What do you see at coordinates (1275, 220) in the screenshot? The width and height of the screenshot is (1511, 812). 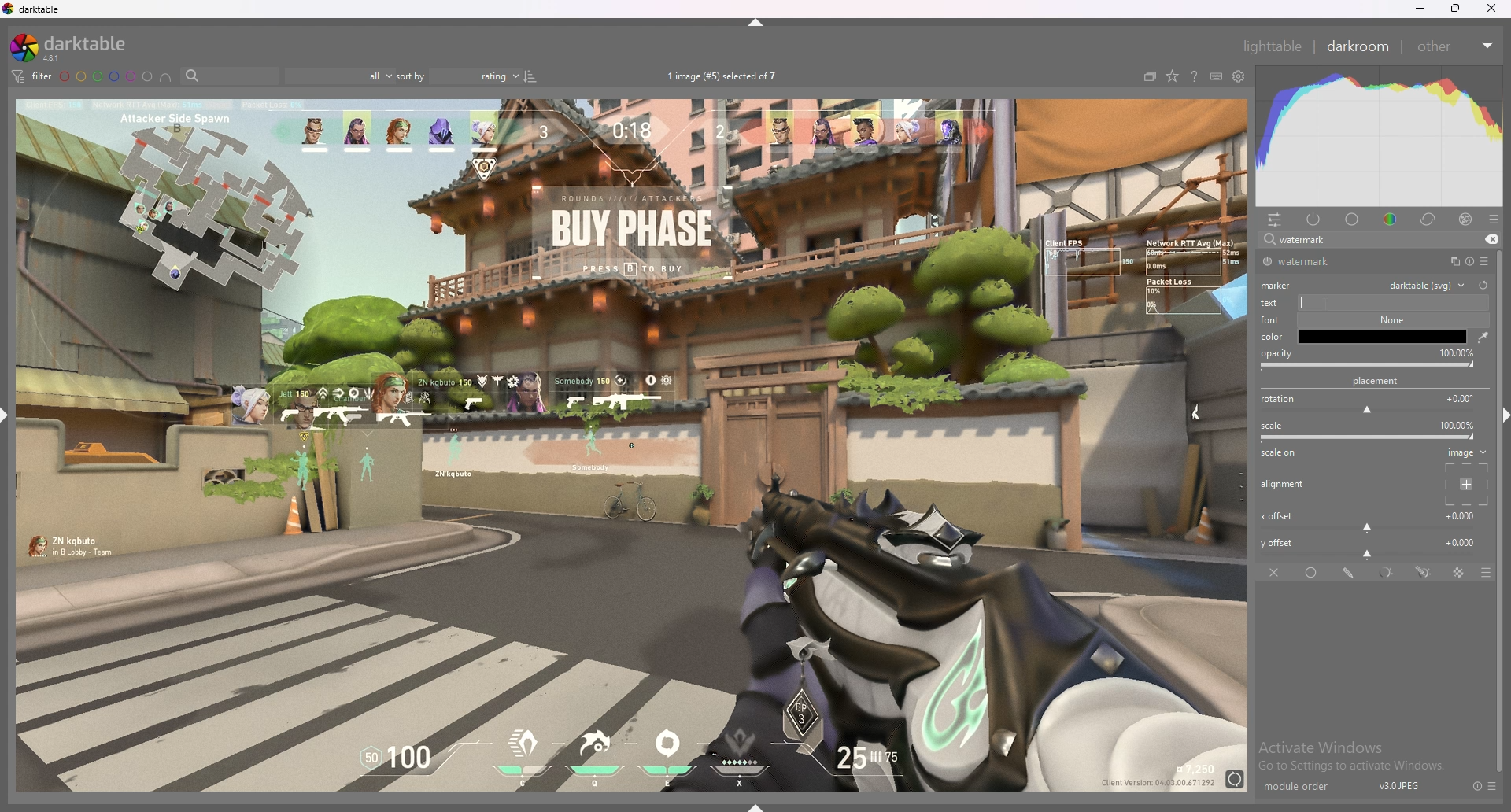 I see `quick access panel` at bounding box center [1275, 220].